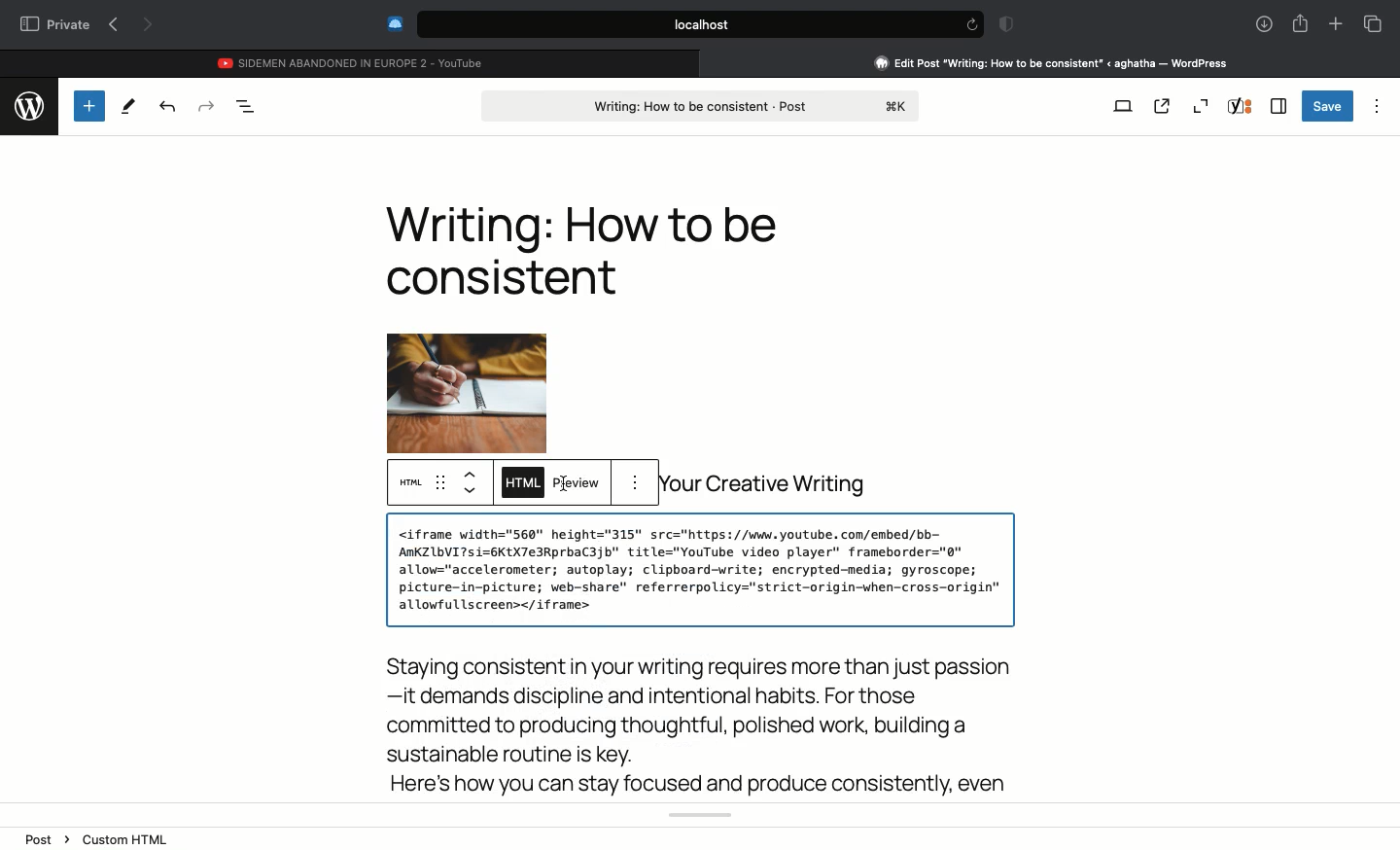  What do you see at coordinates (639, 483) in the screenshot?
I see `more options` at bounding box center [639, 483].